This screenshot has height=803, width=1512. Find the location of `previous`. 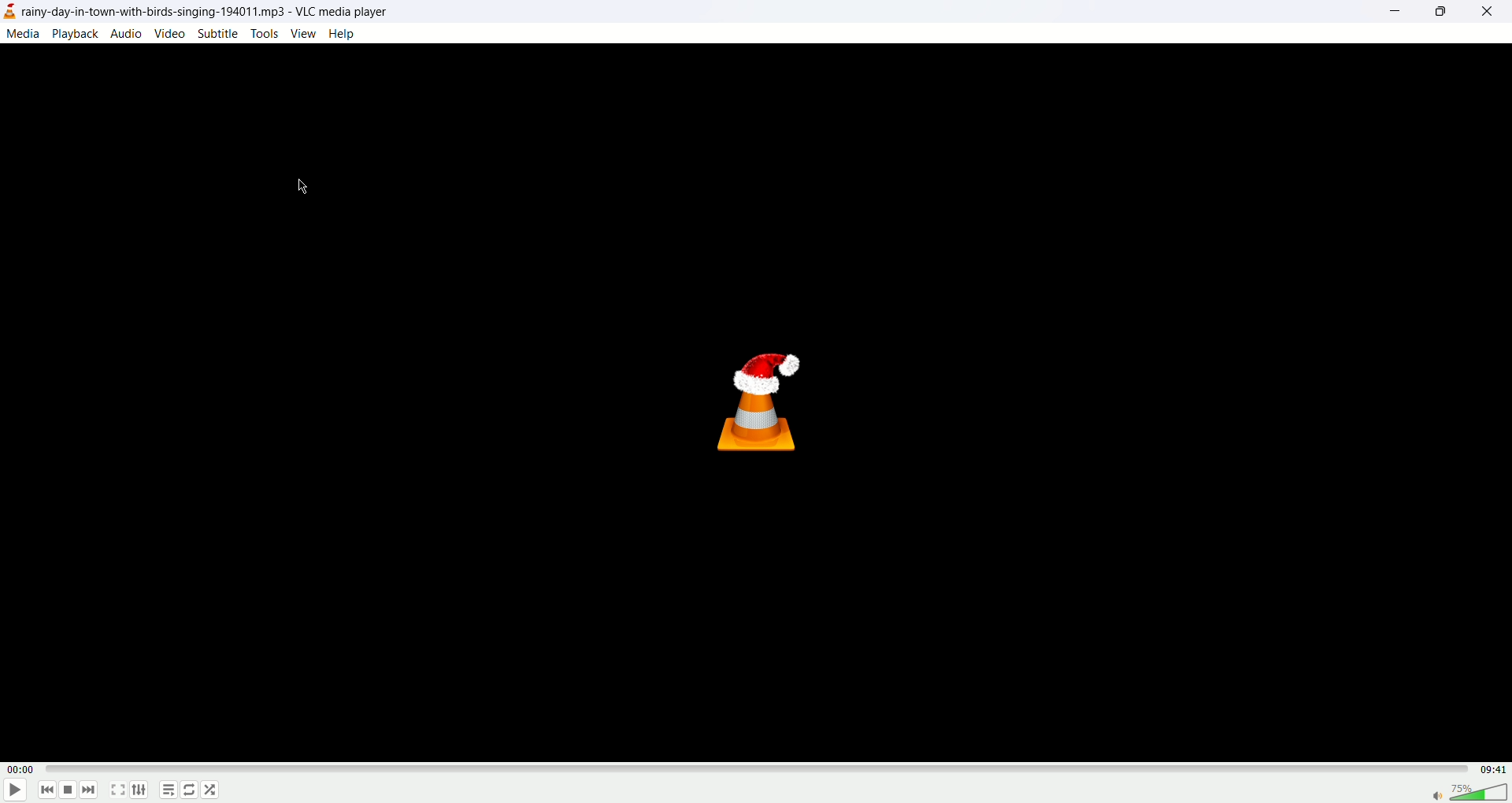

previous is located at coordinates (49, 791).